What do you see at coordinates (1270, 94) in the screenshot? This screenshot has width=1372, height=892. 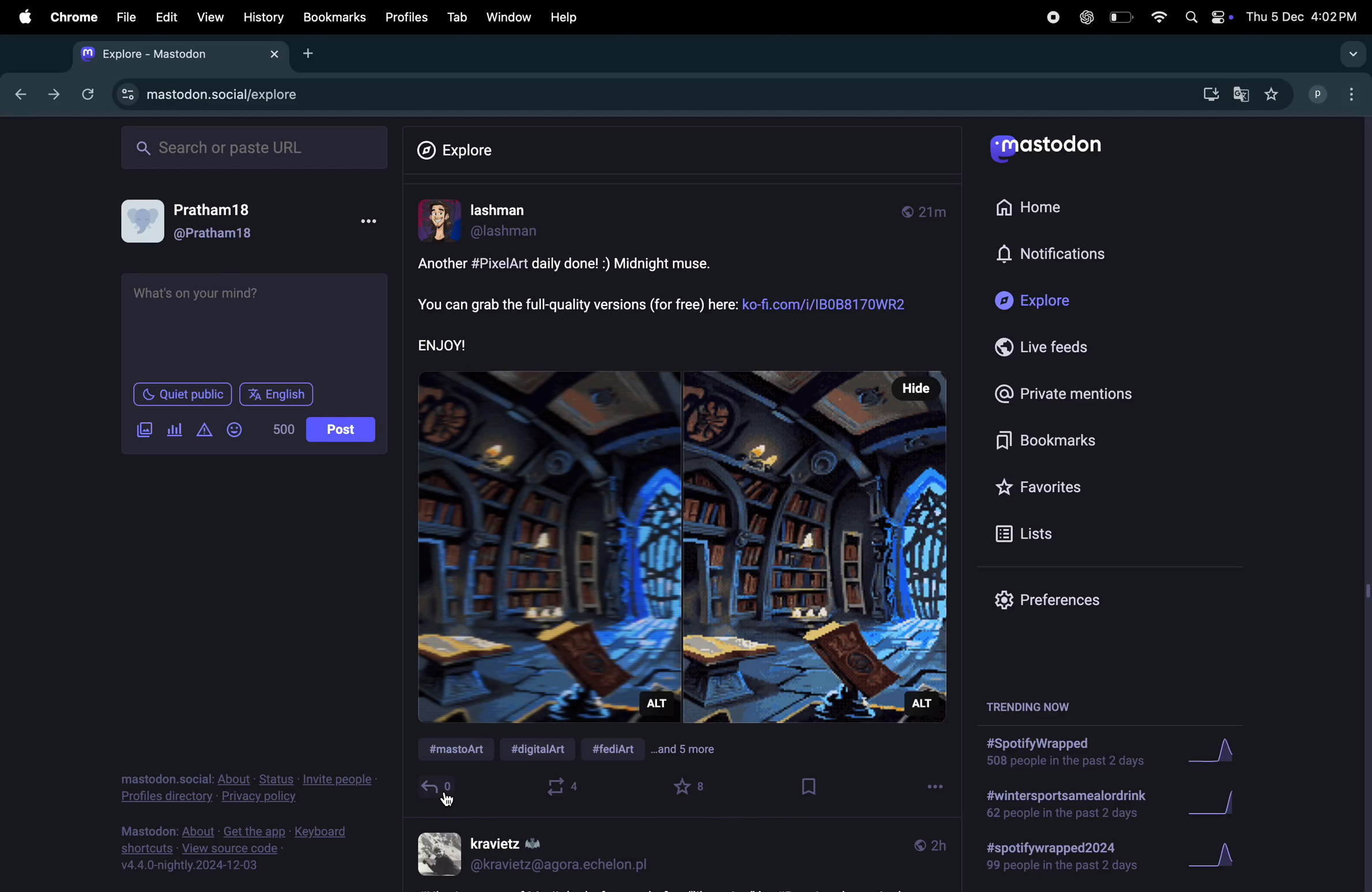 I see `favourites` at bounding box center [1270, 94].